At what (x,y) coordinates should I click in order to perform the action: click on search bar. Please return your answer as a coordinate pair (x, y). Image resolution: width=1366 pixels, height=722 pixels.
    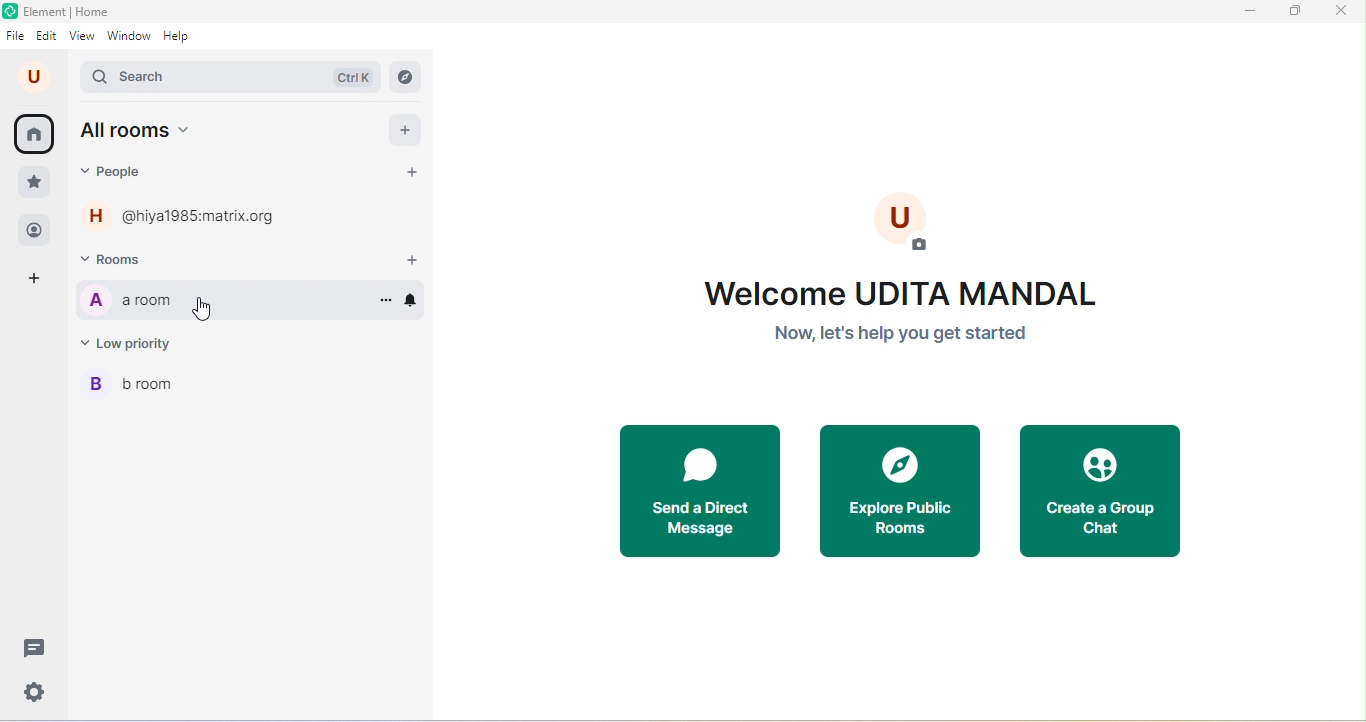
    Looking at the image, I should click on (232, 77).